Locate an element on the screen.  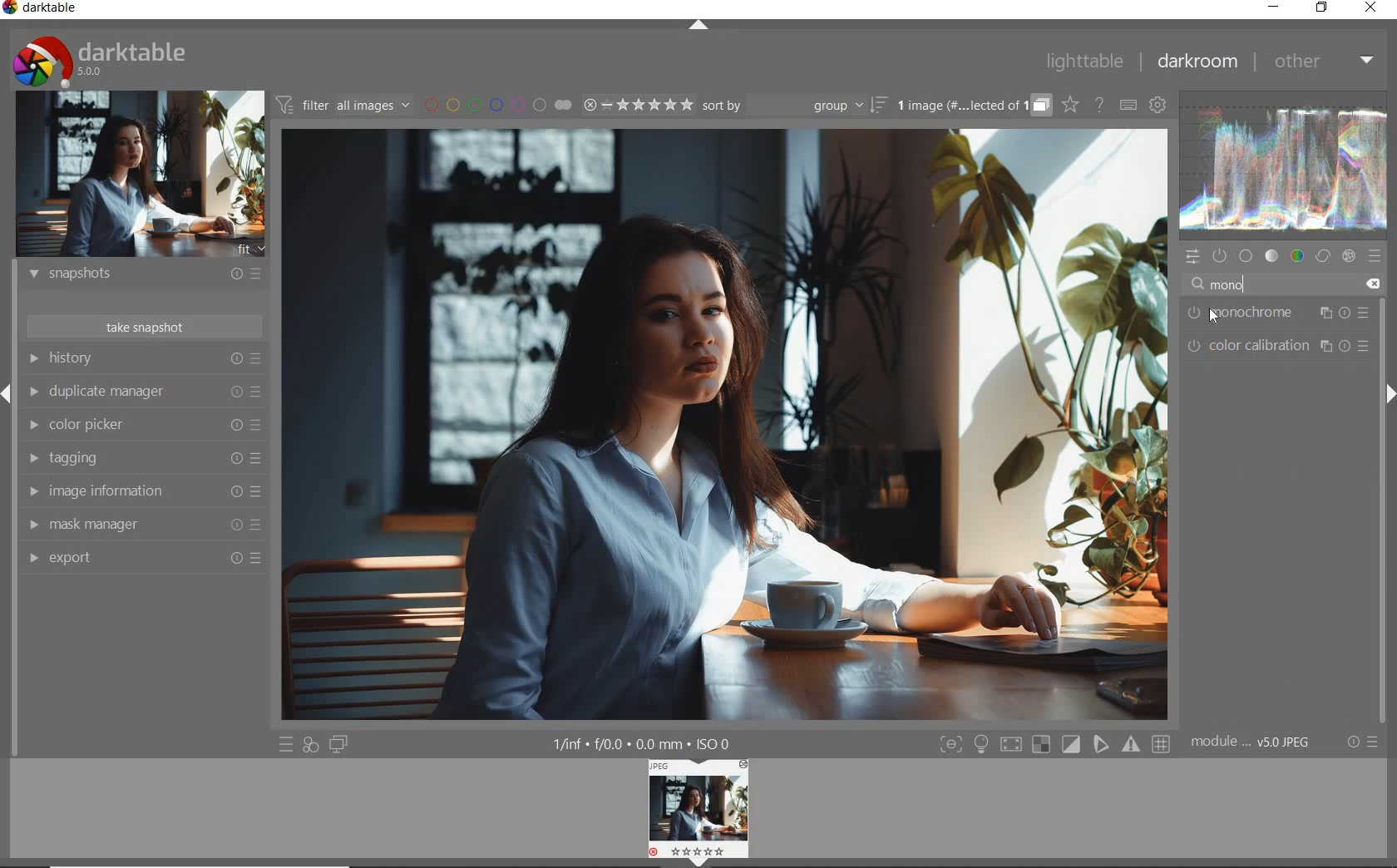
click to change overlays on thumbnails is located at coordinates (1071, 106).